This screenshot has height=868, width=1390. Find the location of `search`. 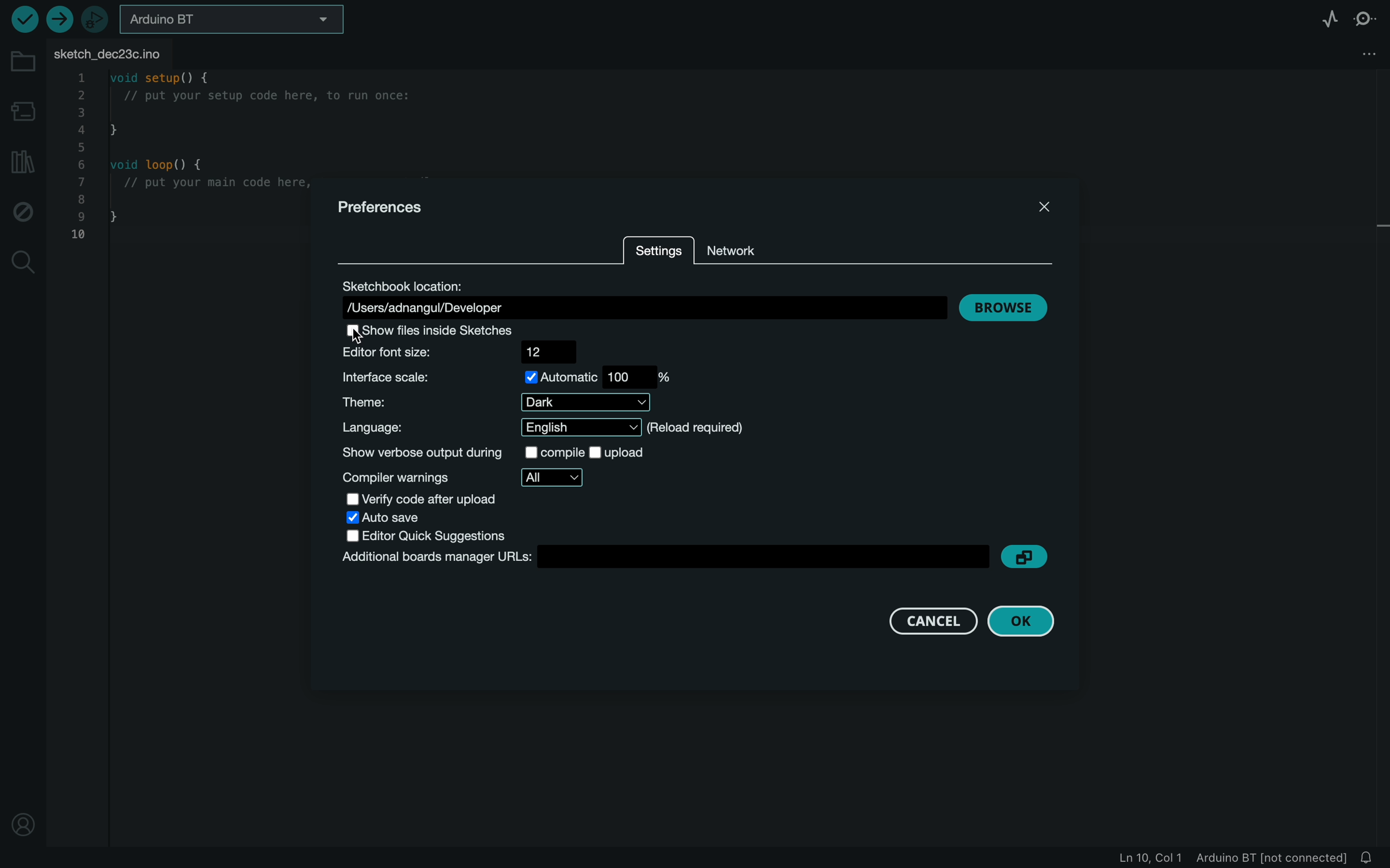

search is located at coordinates (22, 262).